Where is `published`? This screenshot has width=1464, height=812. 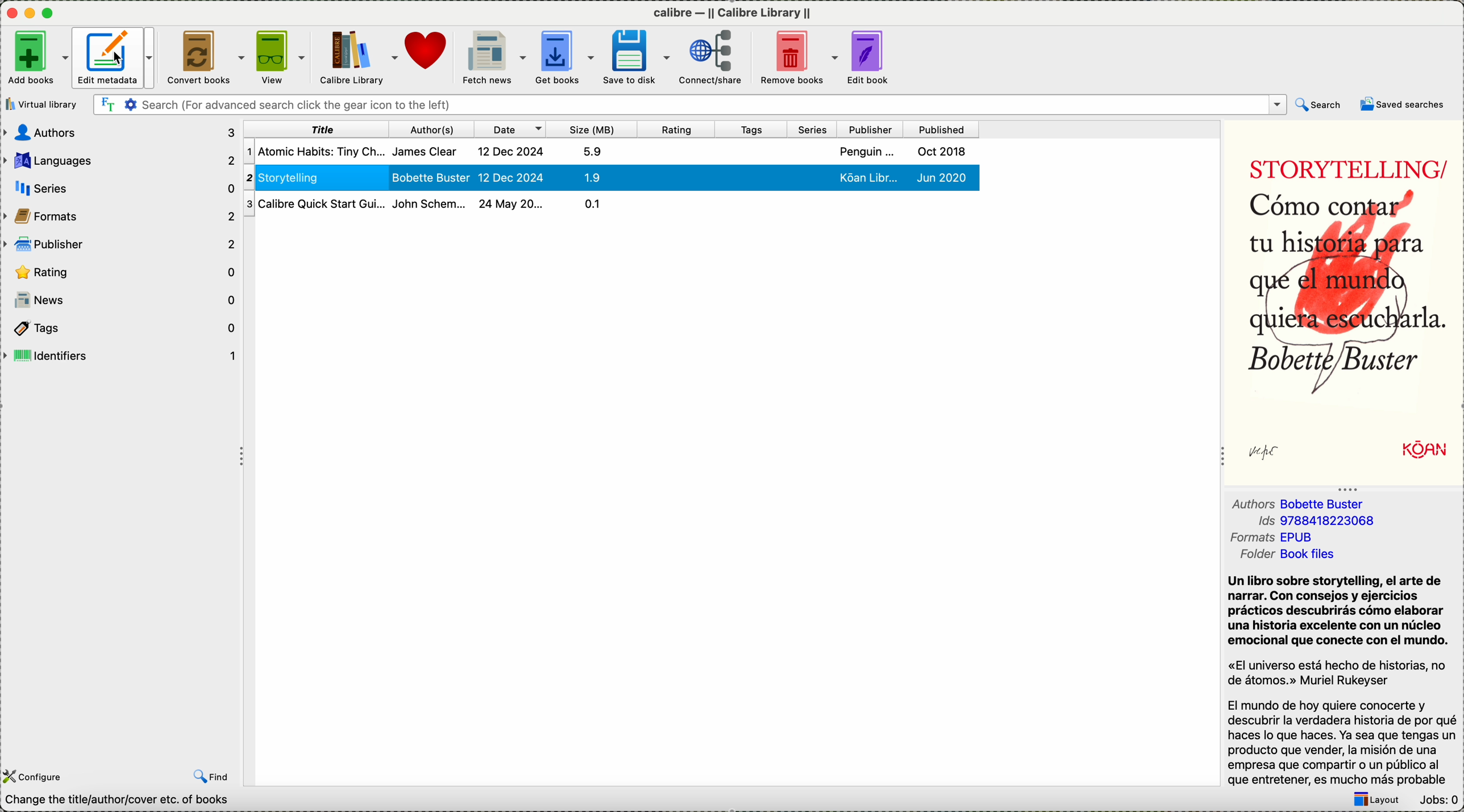 published is located at coordinates (939, 131).